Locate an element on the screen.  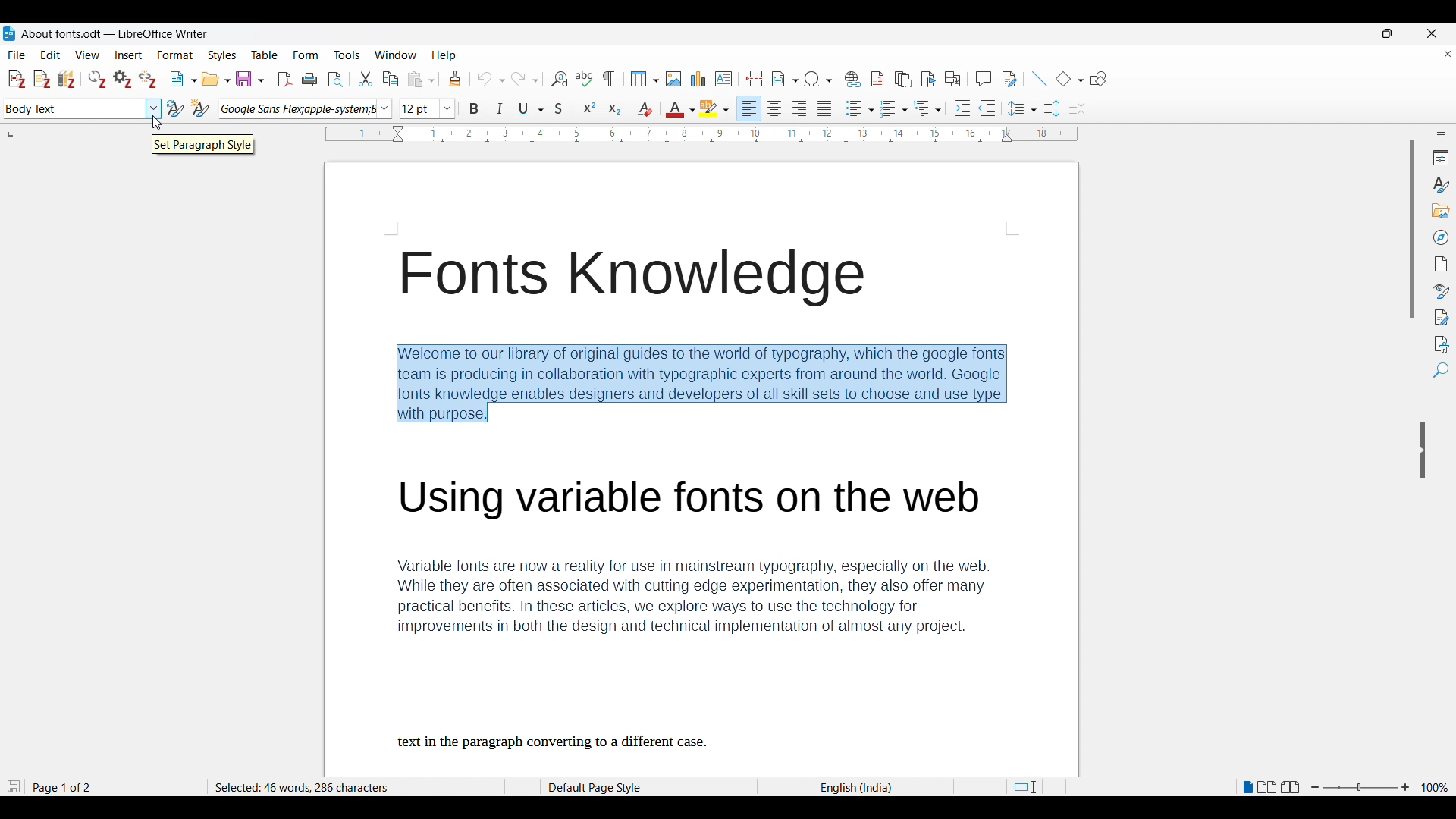
Select outline format is located at coordinates (927, 108).